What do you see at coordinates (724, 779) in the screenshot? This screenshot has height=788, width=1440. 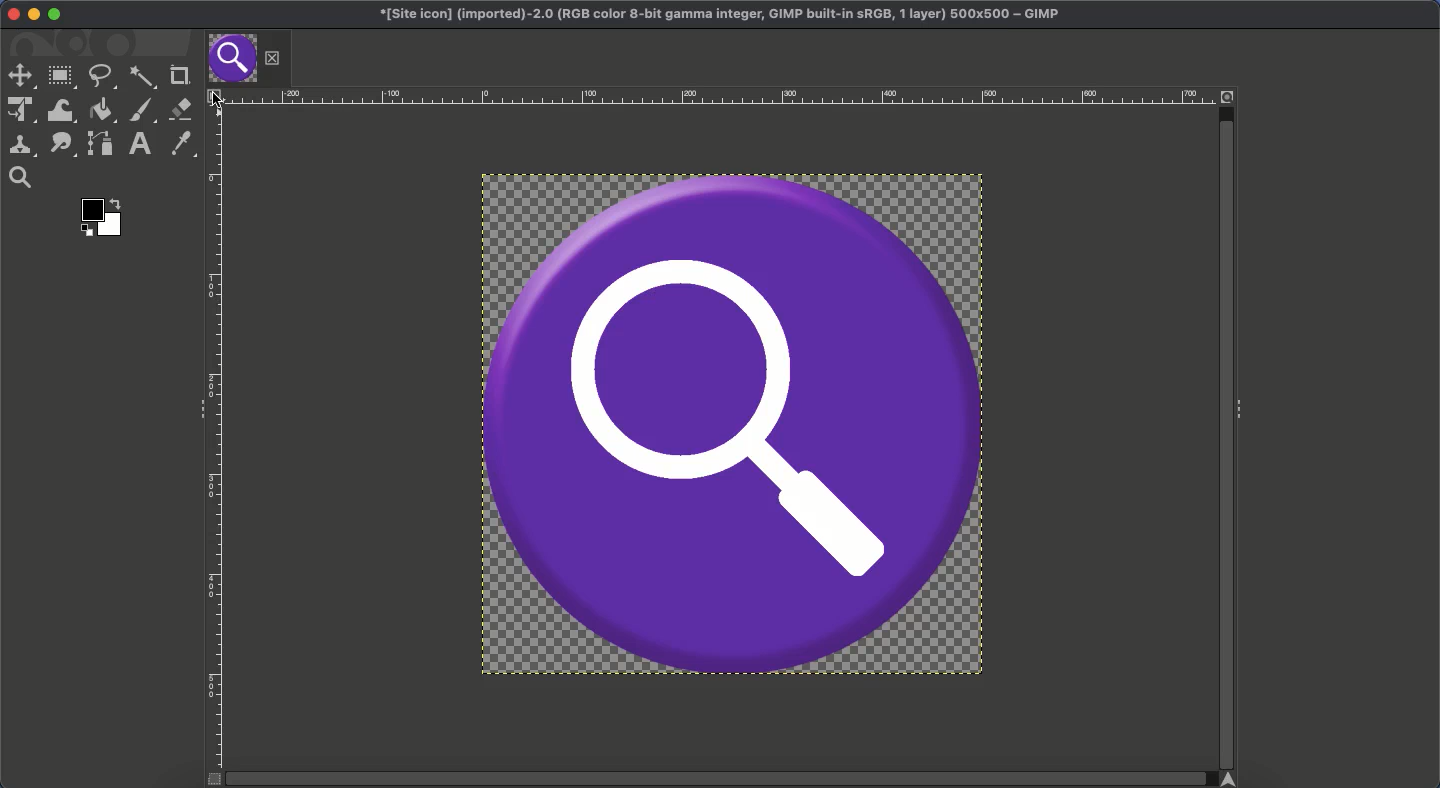 I see `Scroll` at bounding box center [724, 779].